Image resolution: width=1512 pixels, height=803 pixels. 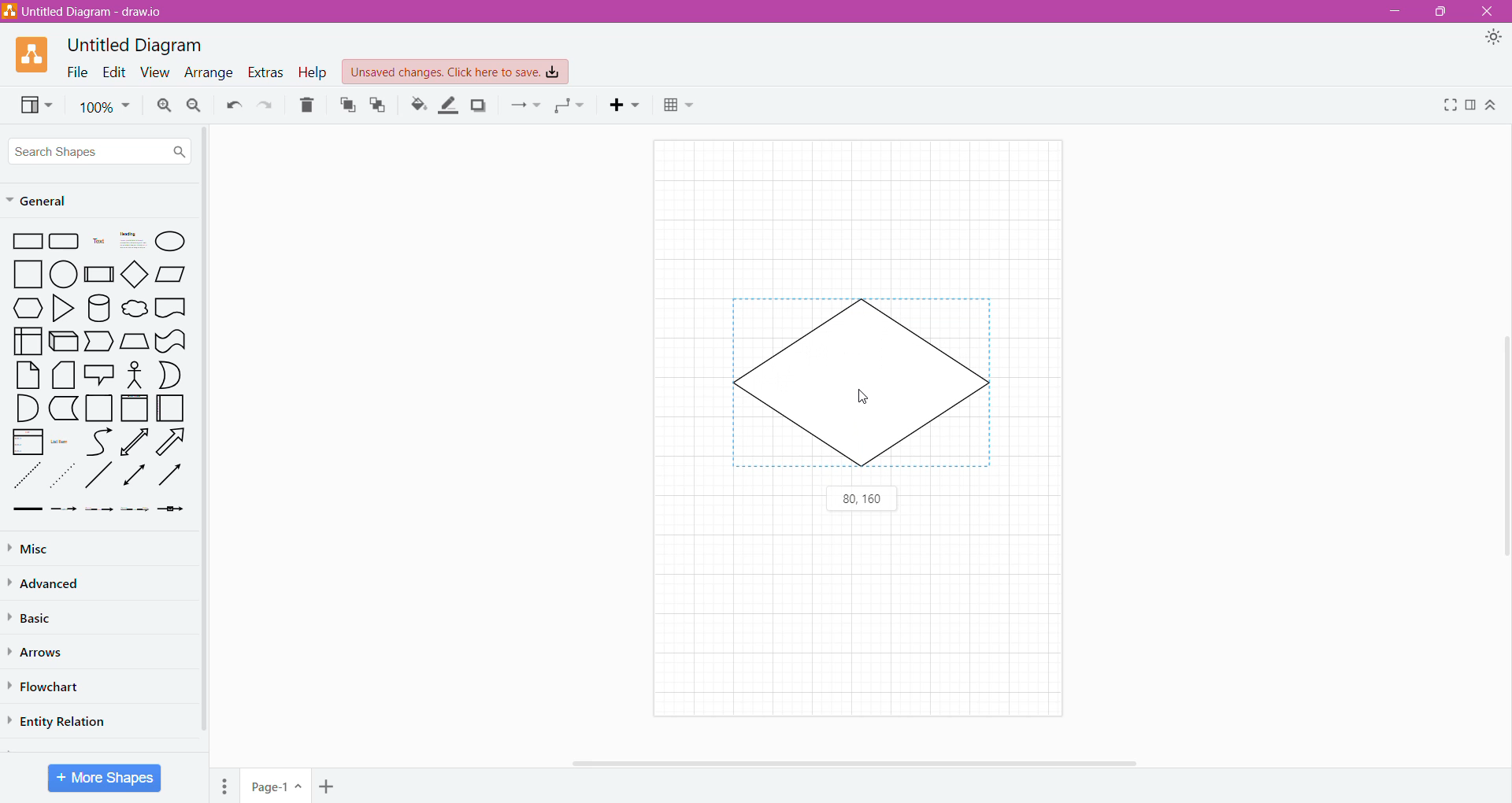 What do you see at coordinates (61, 310) in the screenshot?
I see `Triangle` at bounding box center [61, 310].